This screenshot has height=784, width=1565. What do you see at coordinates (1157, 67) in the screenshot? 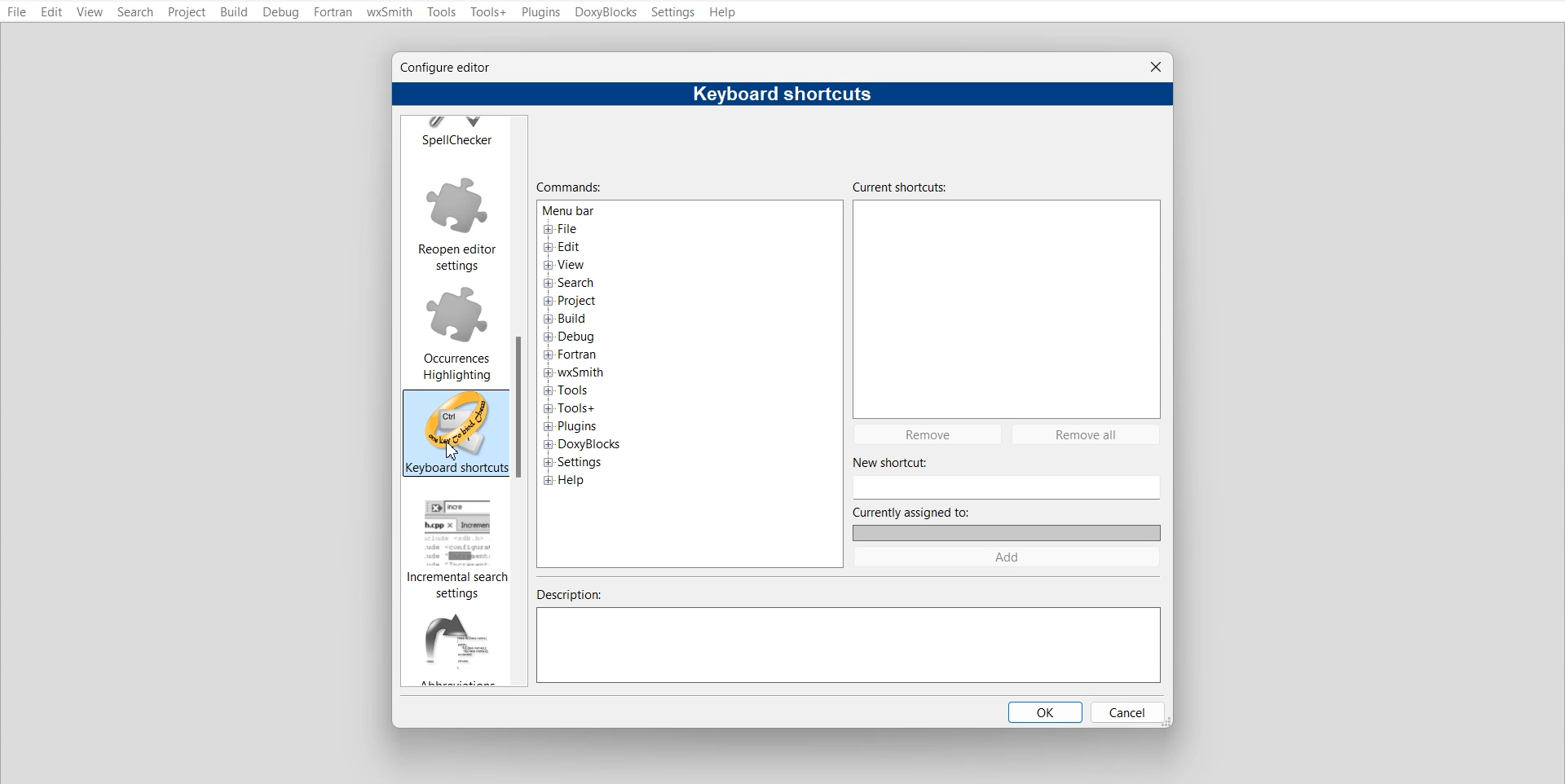
I see `close` at bounding box center [1157, 67].